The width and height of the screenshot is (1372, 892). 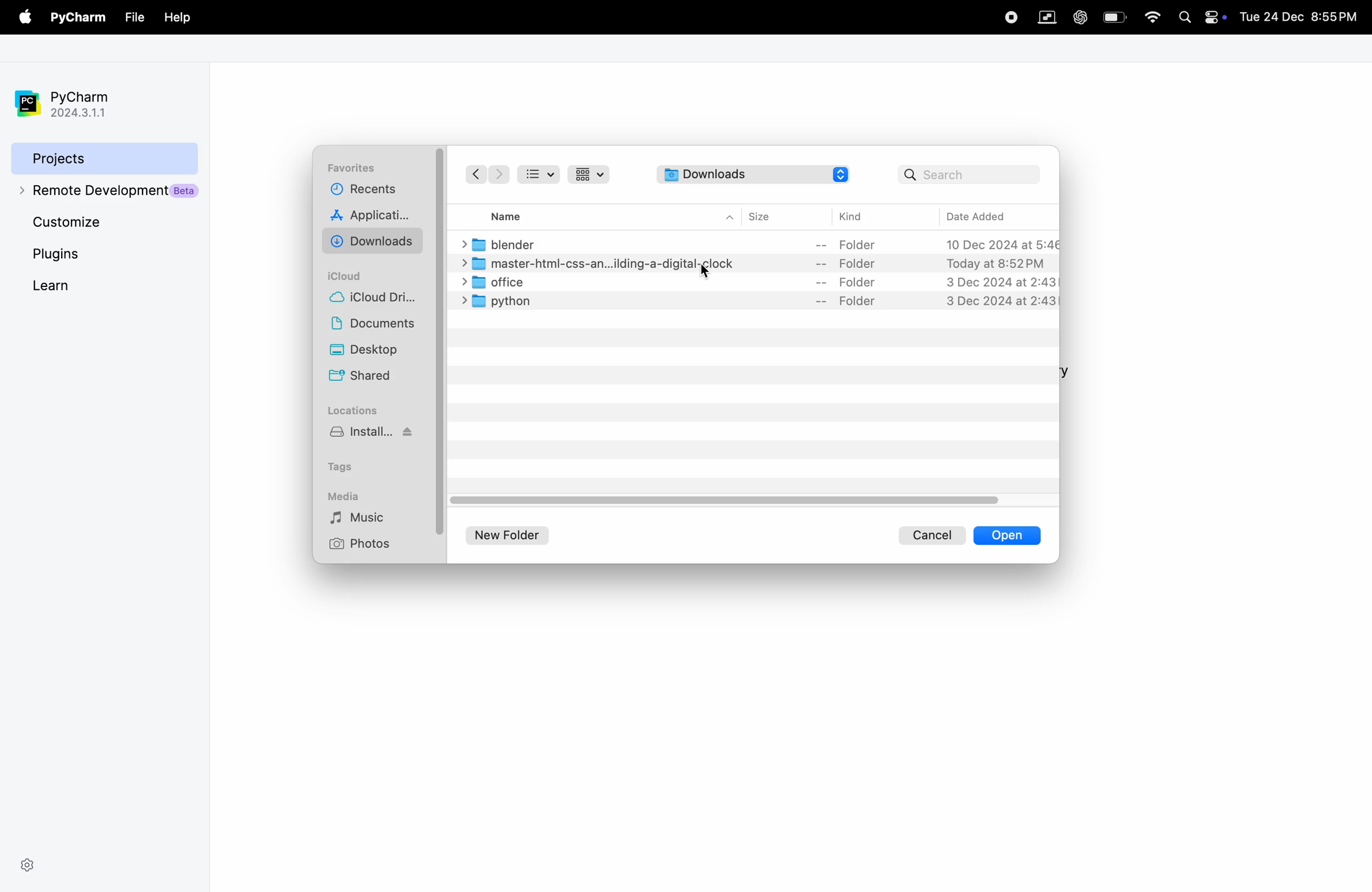 What do you see at coordinates (1007, 535) in the screenshot?
I see `open` at bounding box center [1007, 535].